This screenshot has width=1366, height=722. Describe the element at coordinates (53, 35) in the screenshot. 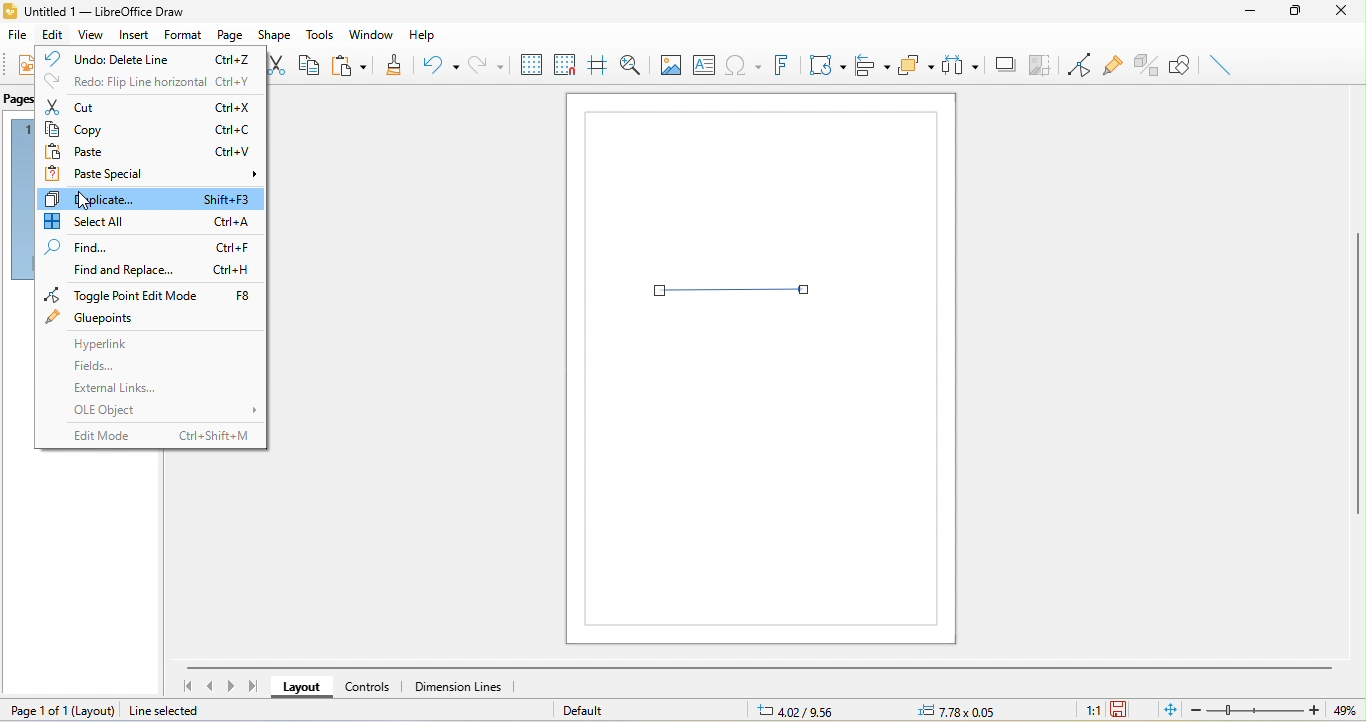

I see `edit` at that location.